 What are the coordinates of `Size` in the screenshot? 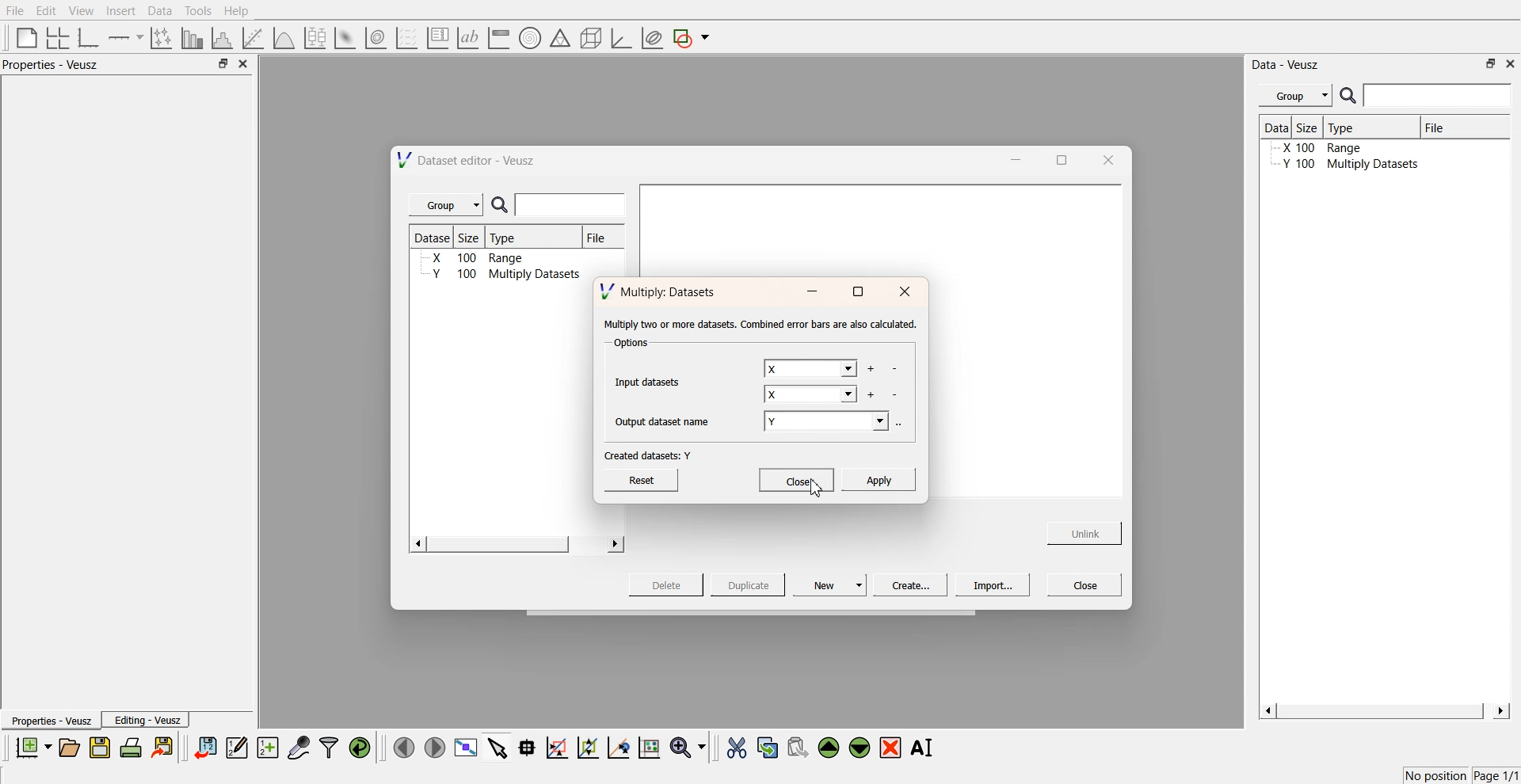 It's located at (1310, 127).